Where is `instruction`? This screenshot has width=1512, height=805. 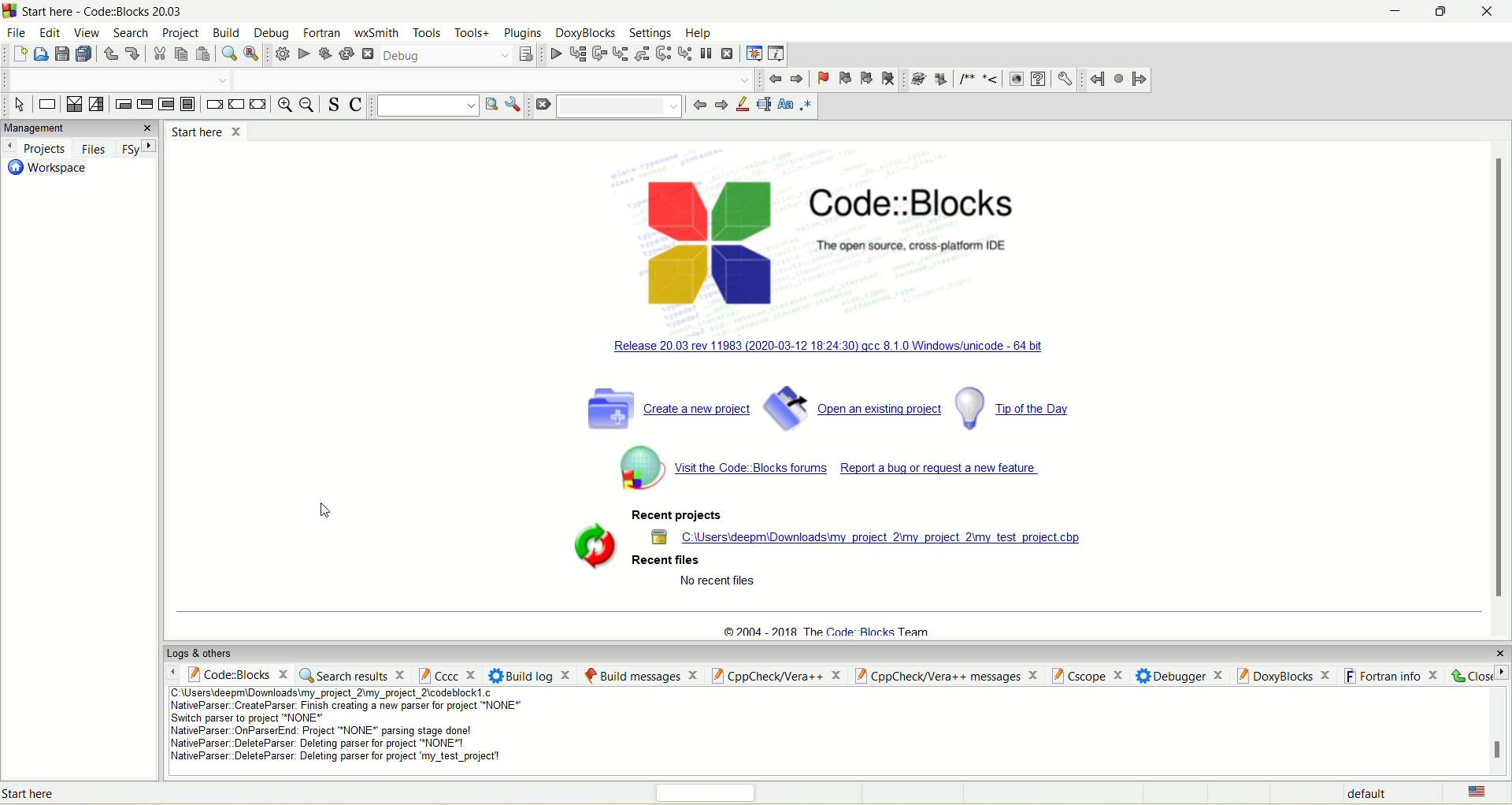
instruction is located at coordinates (49, 105).